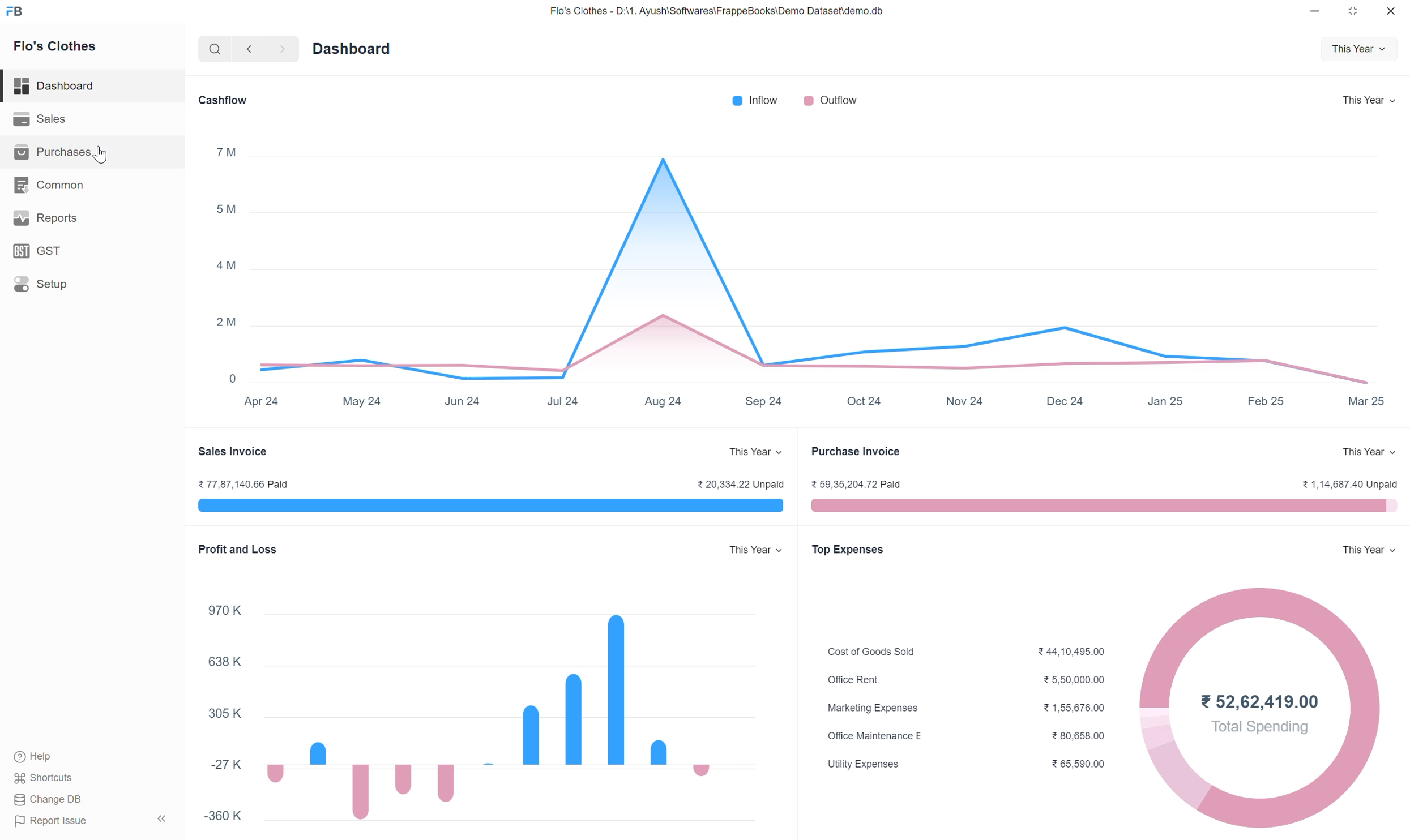 The image size is (1410, 840). I want to click on this year, so click(1369, 549).